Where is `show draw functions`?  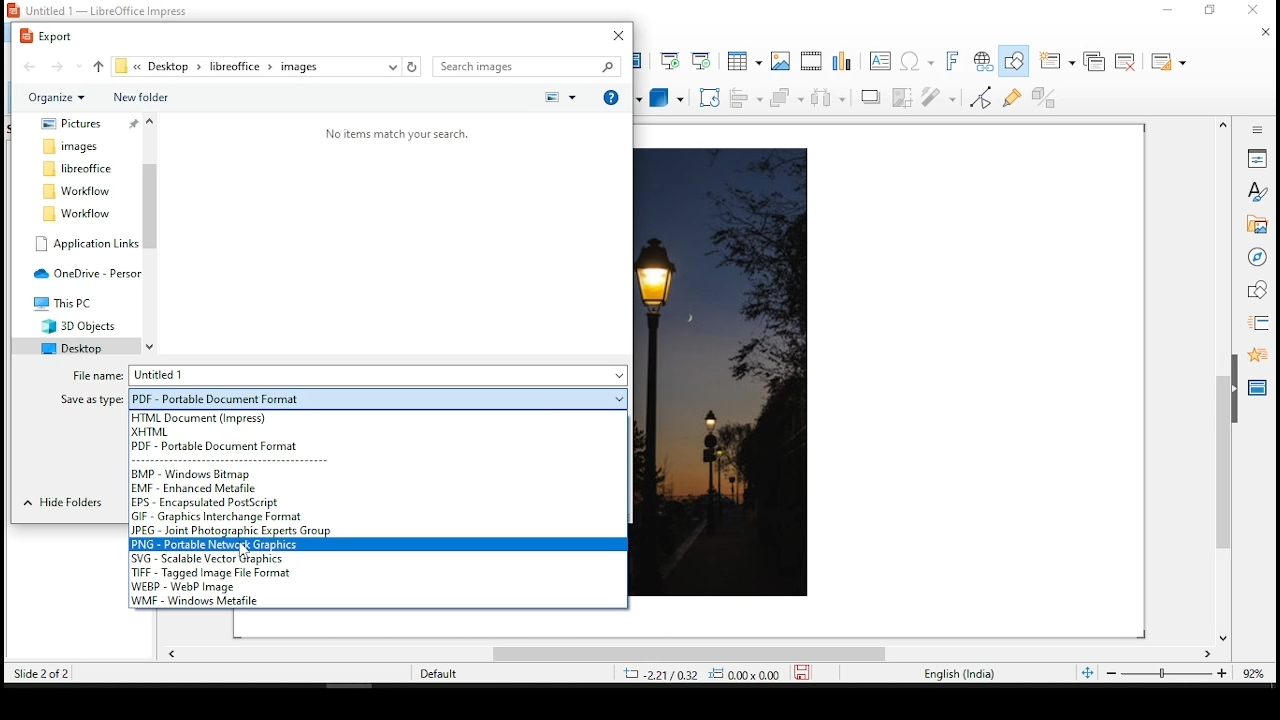 show draw functions is located at coordinates (1011, 61).